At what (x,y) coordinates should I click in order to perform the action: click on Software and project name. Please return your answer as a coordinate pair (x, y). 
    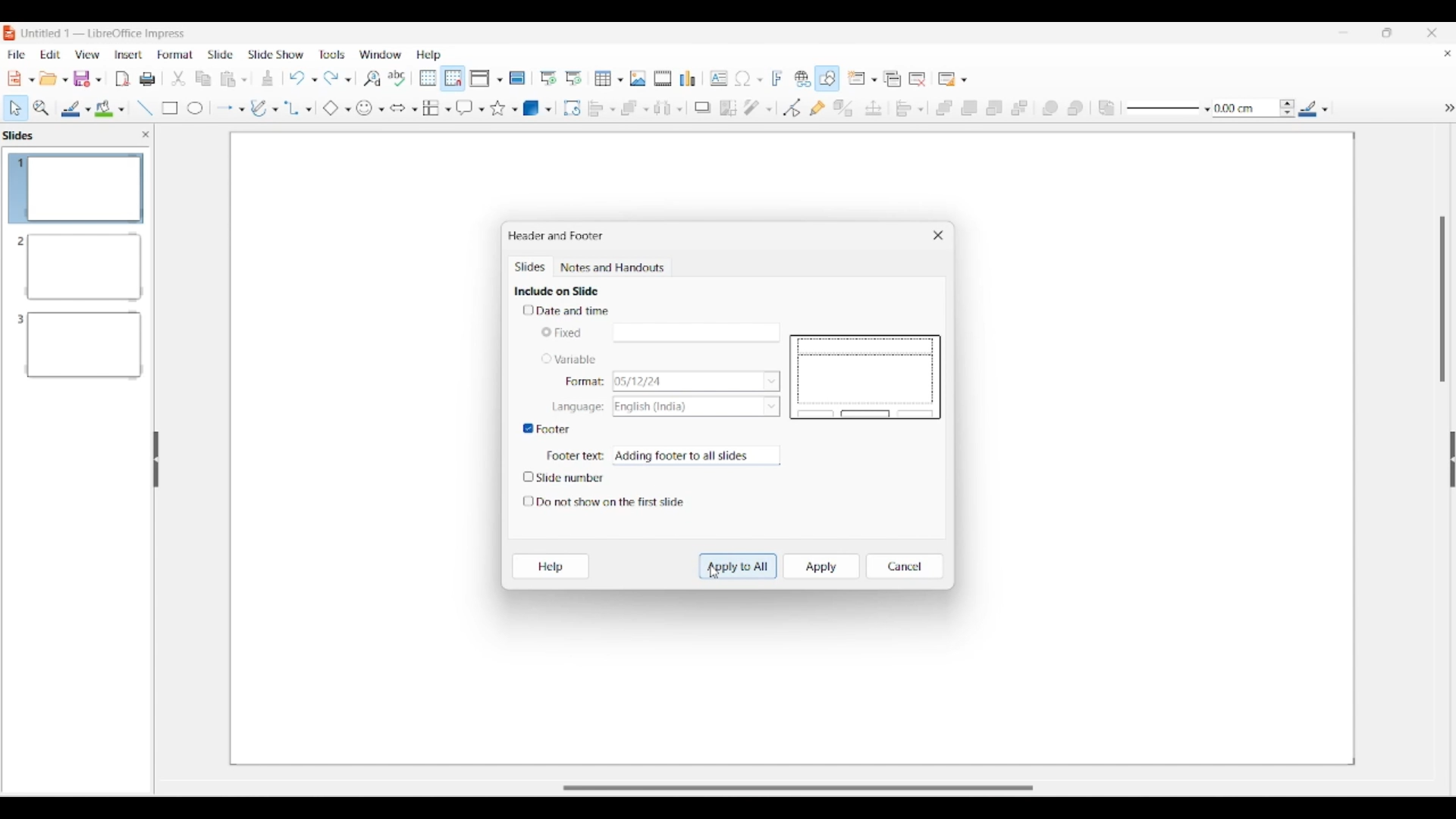
    Looking at the image, I should click on (105, 34).